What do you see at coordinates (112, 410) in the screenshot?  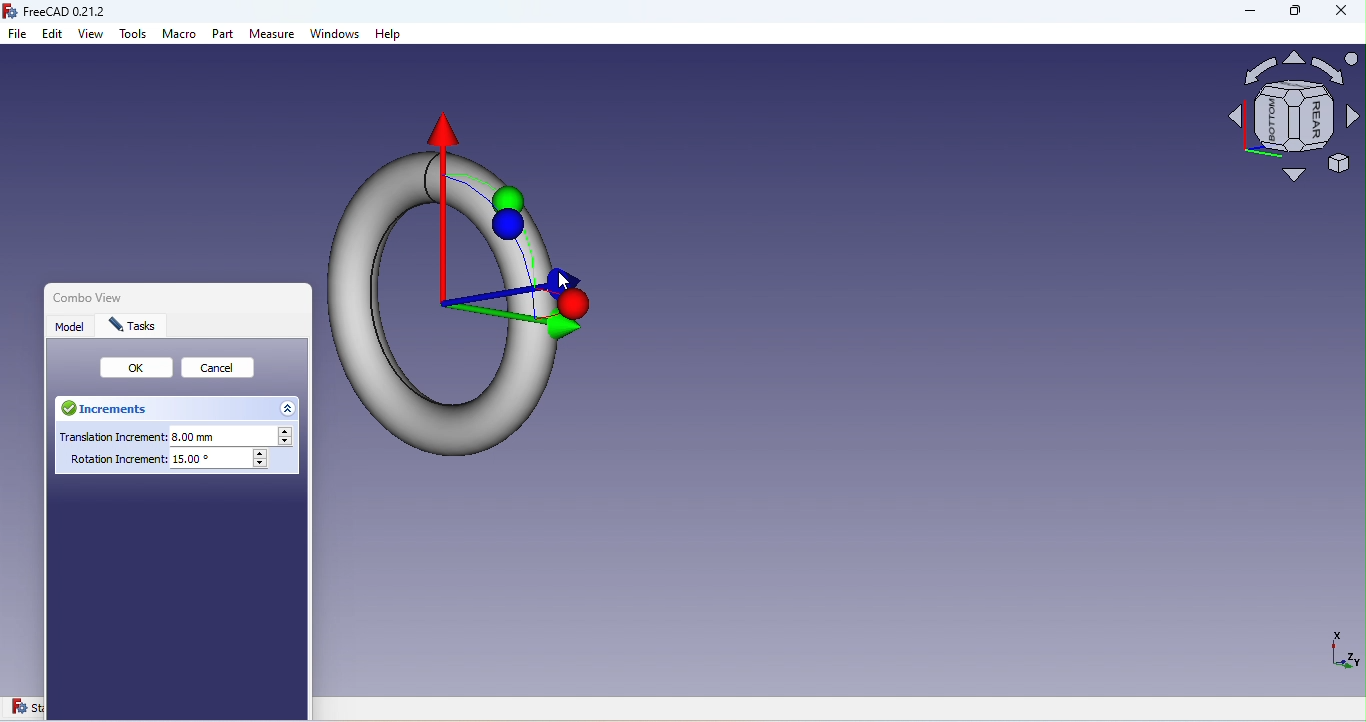 I see `Increments` at bounding box center [112, 410].